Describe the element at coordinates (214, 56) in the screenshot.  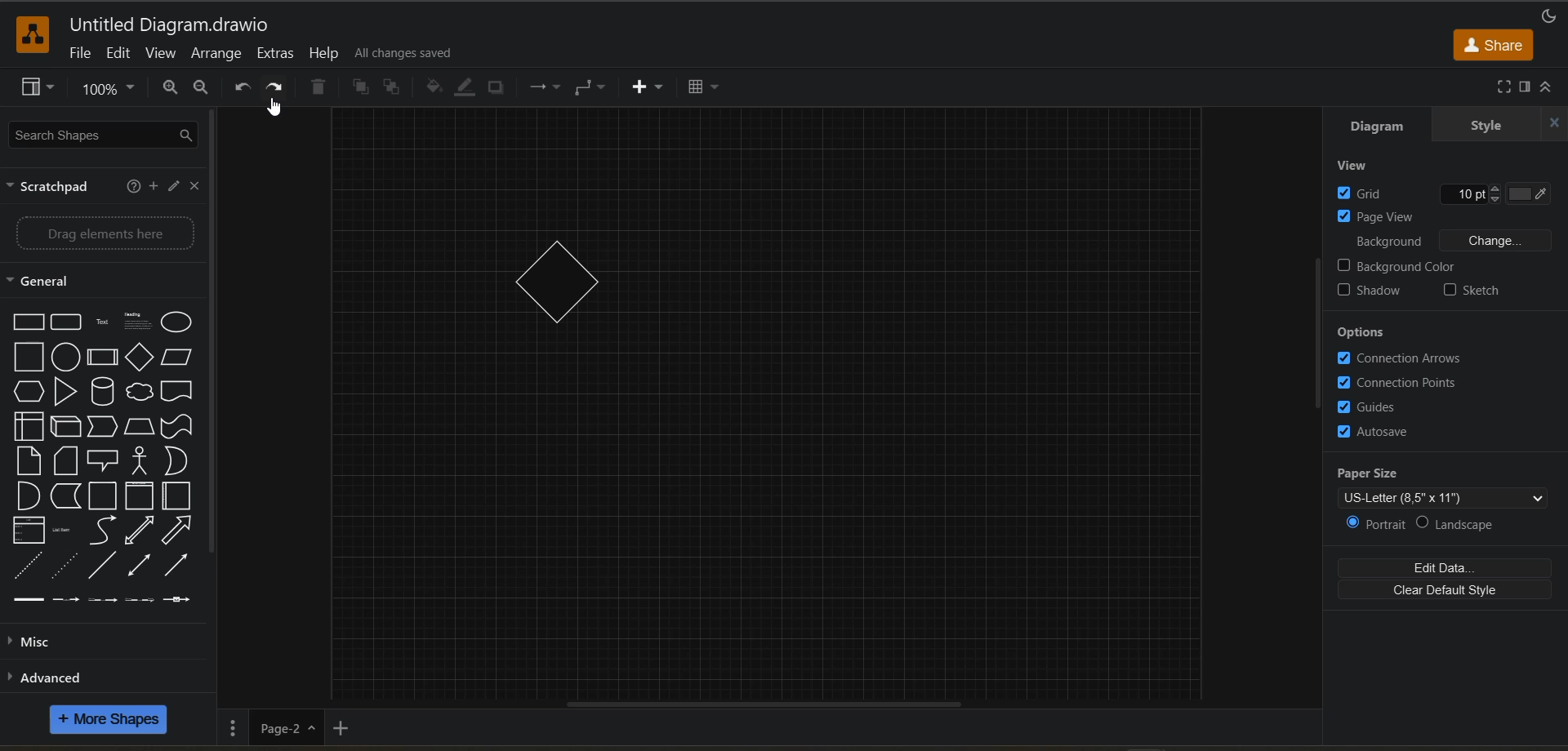
I see `arrange` at that location.